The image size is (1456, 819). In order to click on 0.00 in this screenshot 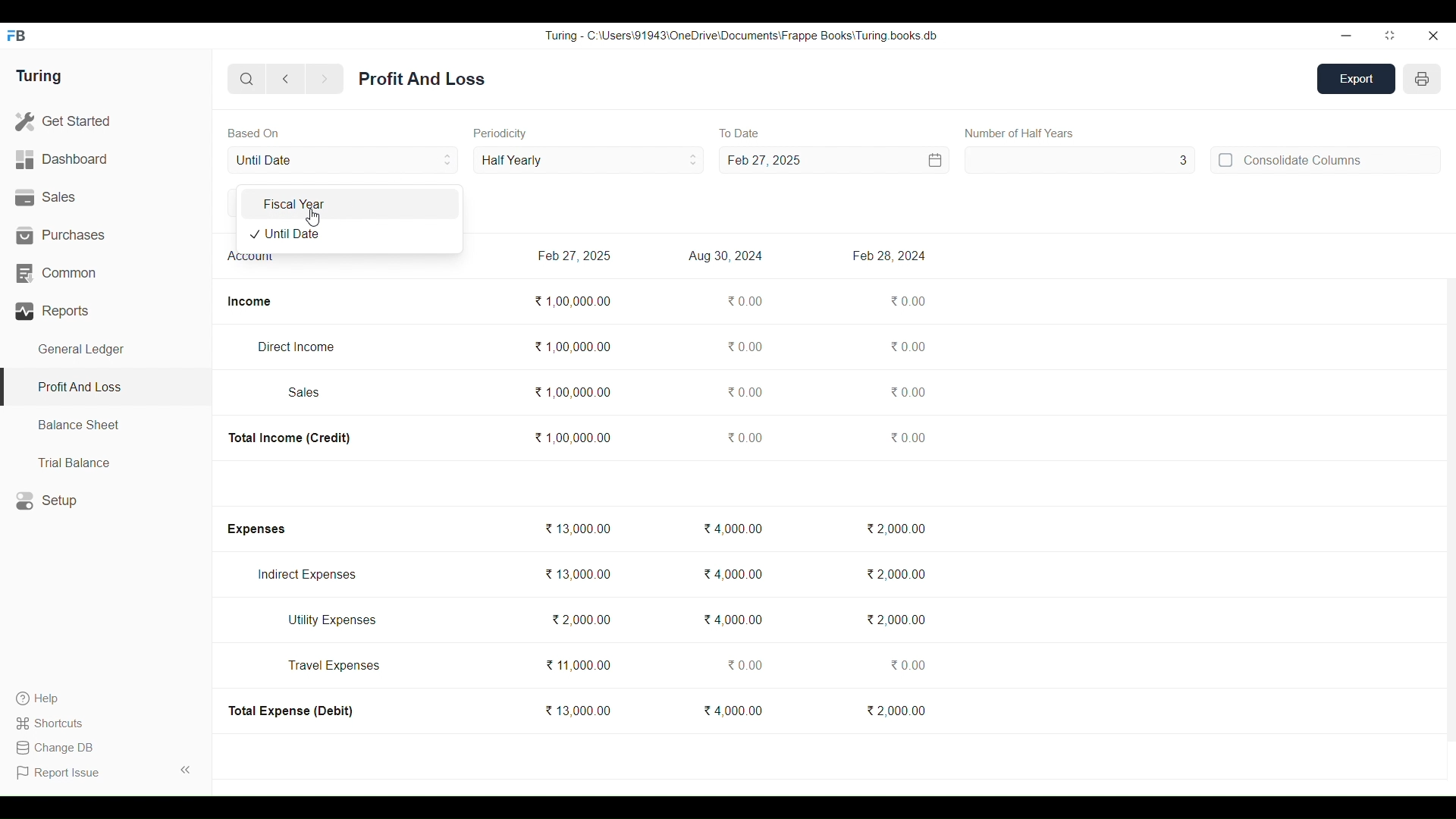, I will do `click(908, 391)`.